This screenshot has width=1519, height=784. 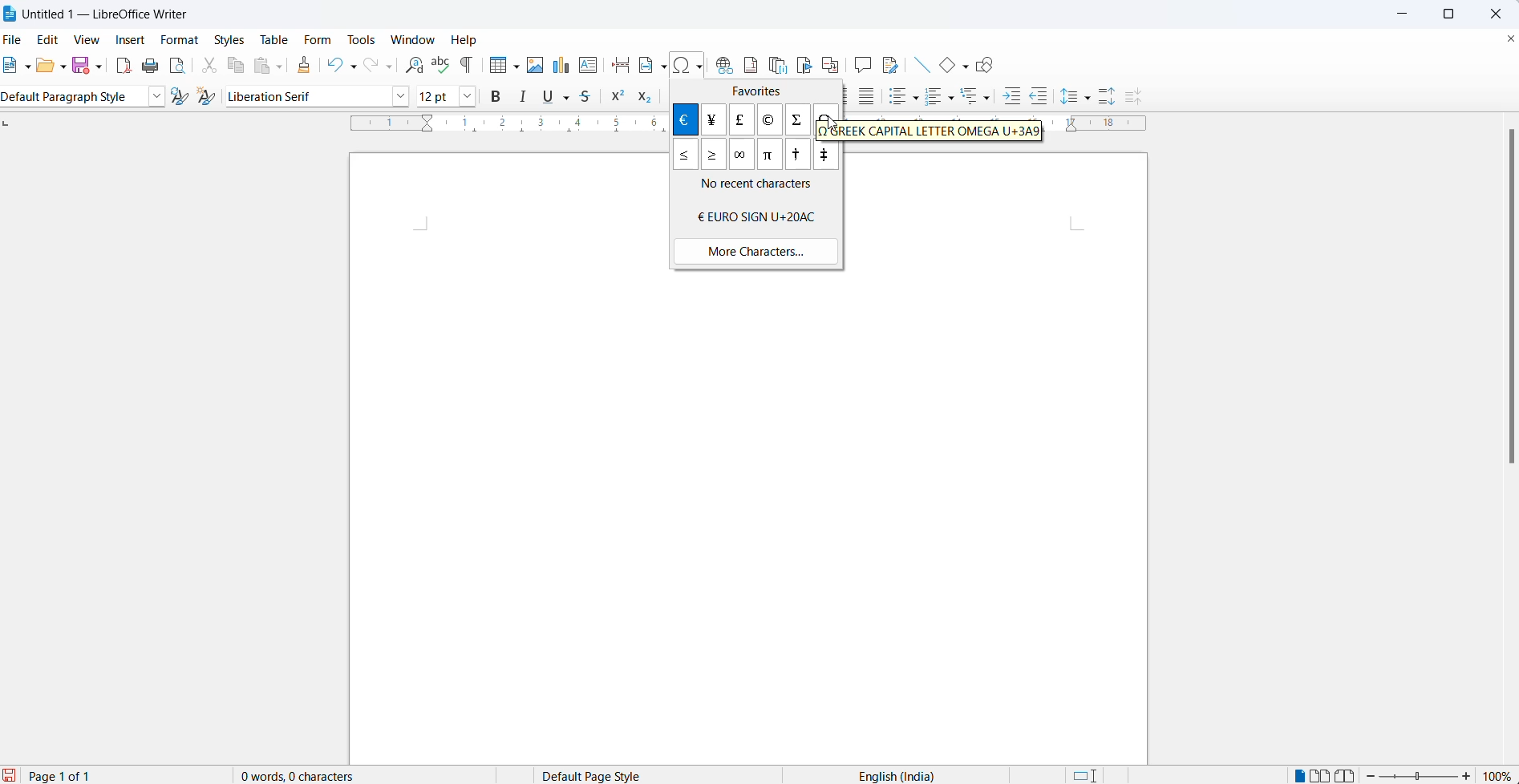 What do you see at coordinates (439, 64) in the screenshot?
I see `spellings` at bounding box center [439, 64].